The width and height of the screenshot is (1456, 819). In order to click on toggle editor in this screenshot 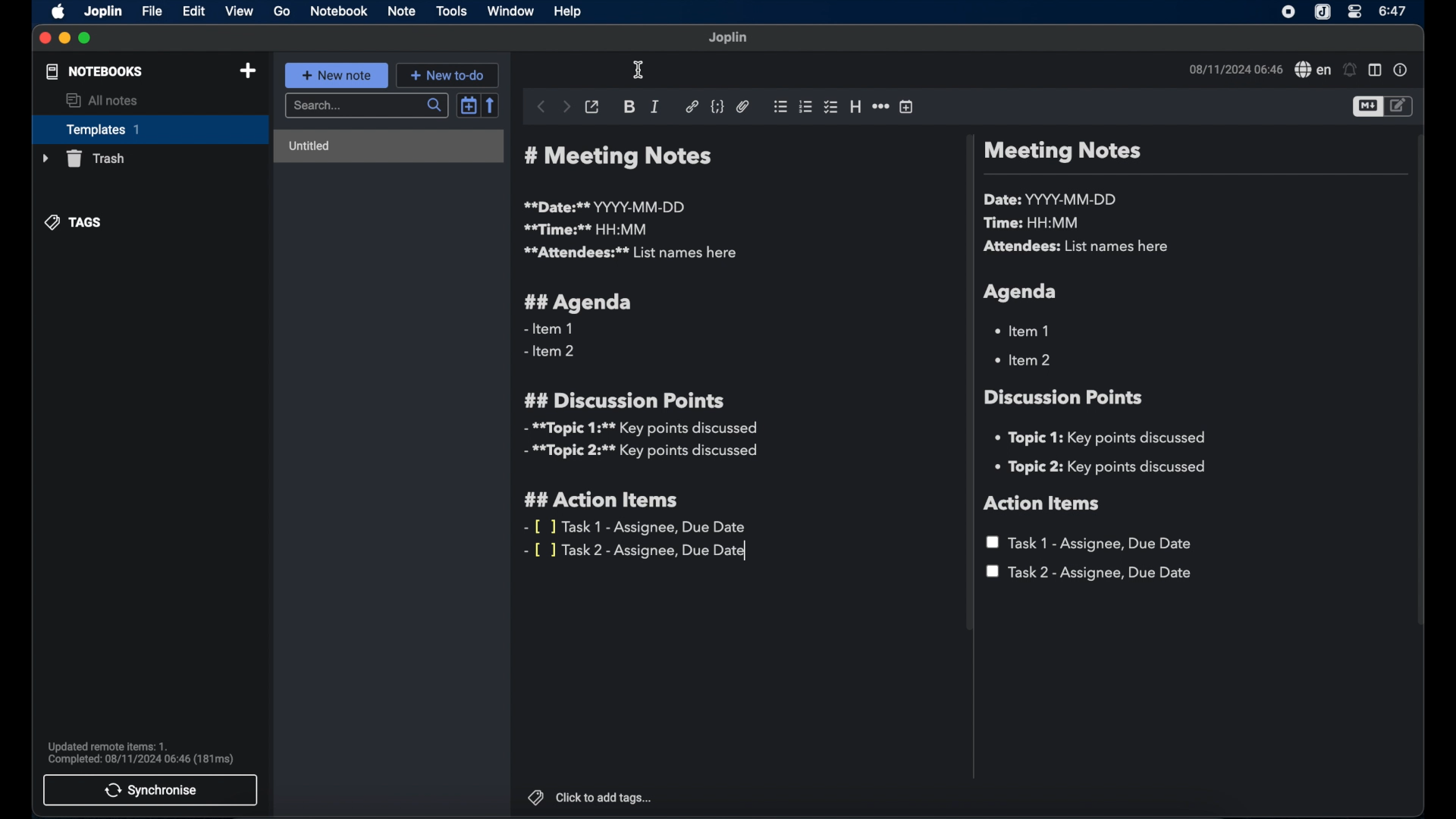, I will do `click(1399, 106)`.